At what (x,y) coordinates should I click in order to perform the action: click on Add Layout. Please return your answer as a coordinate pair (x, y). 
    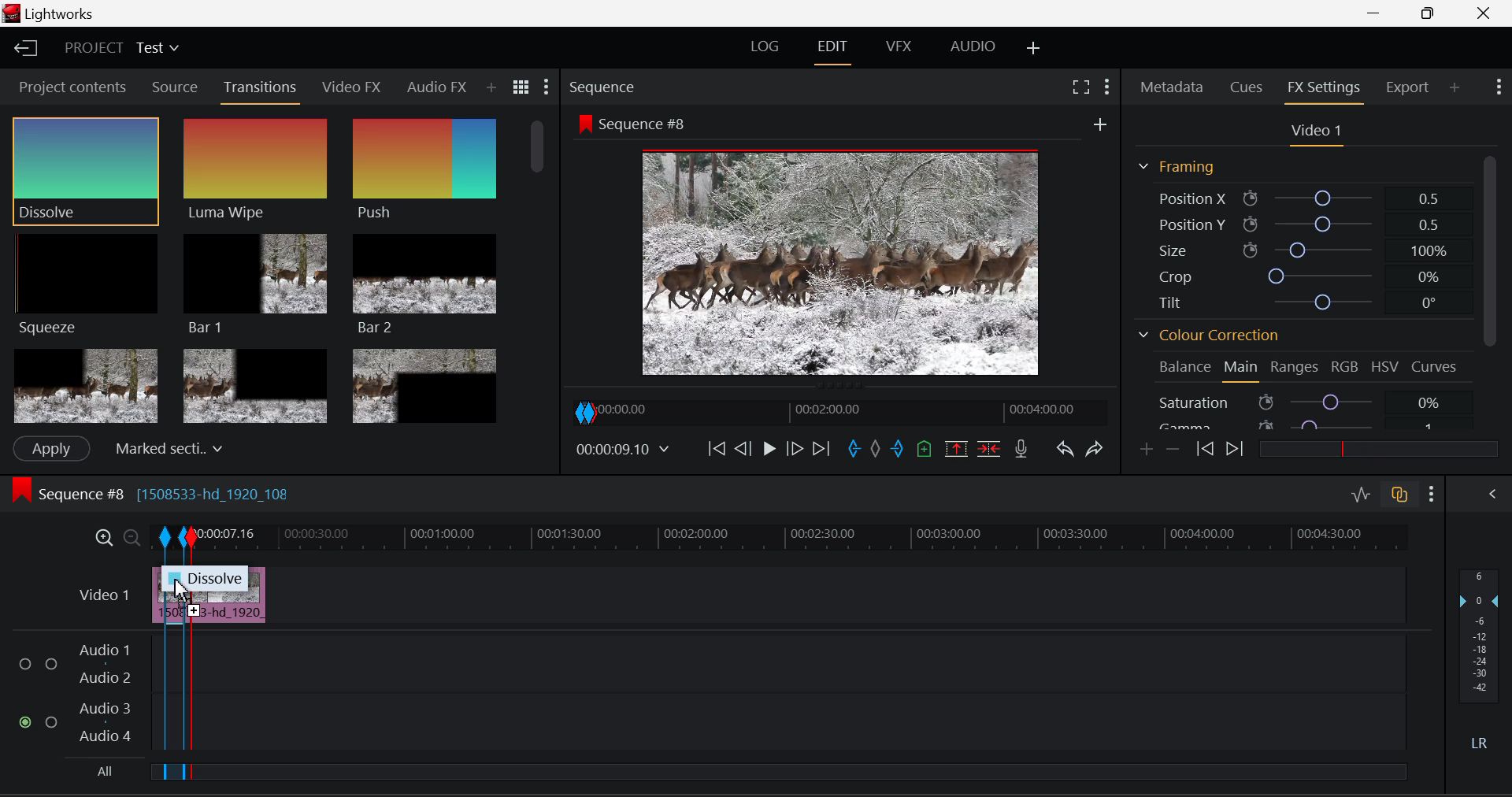
    Looking at the image, I should click on (1034, 50).